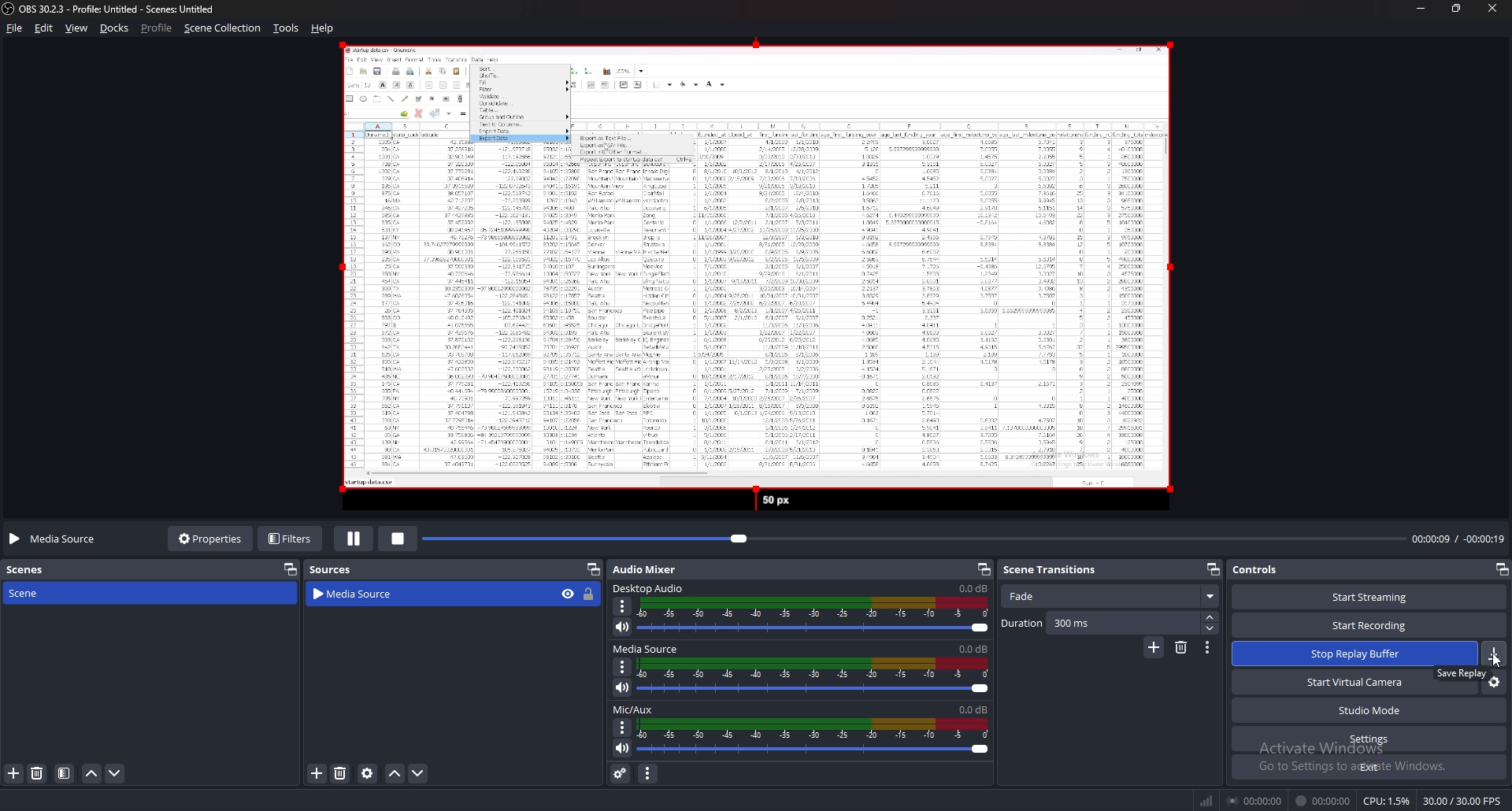 The image size is (1512, 811). Describe the element at coordinates (568, 594) in the screenshot. I see `hide` at that location.